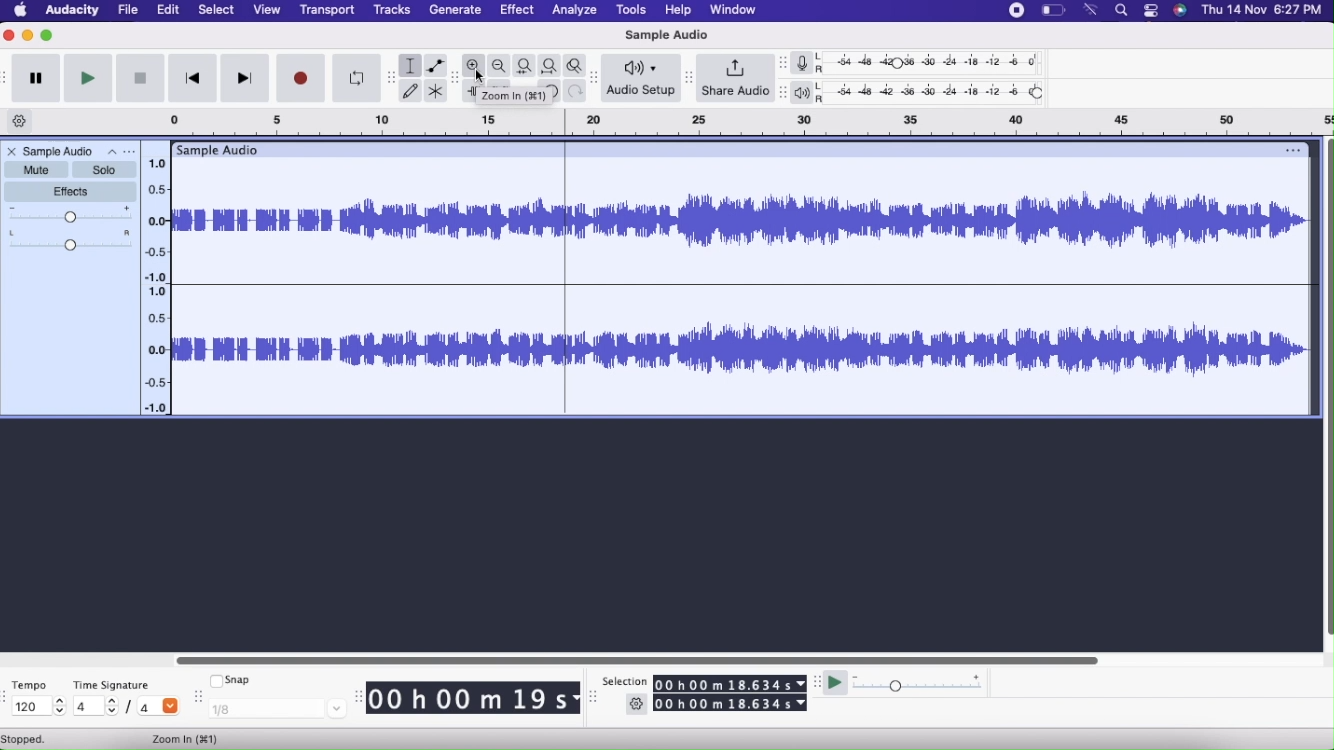  I want to click on resize, so click(593, 700).